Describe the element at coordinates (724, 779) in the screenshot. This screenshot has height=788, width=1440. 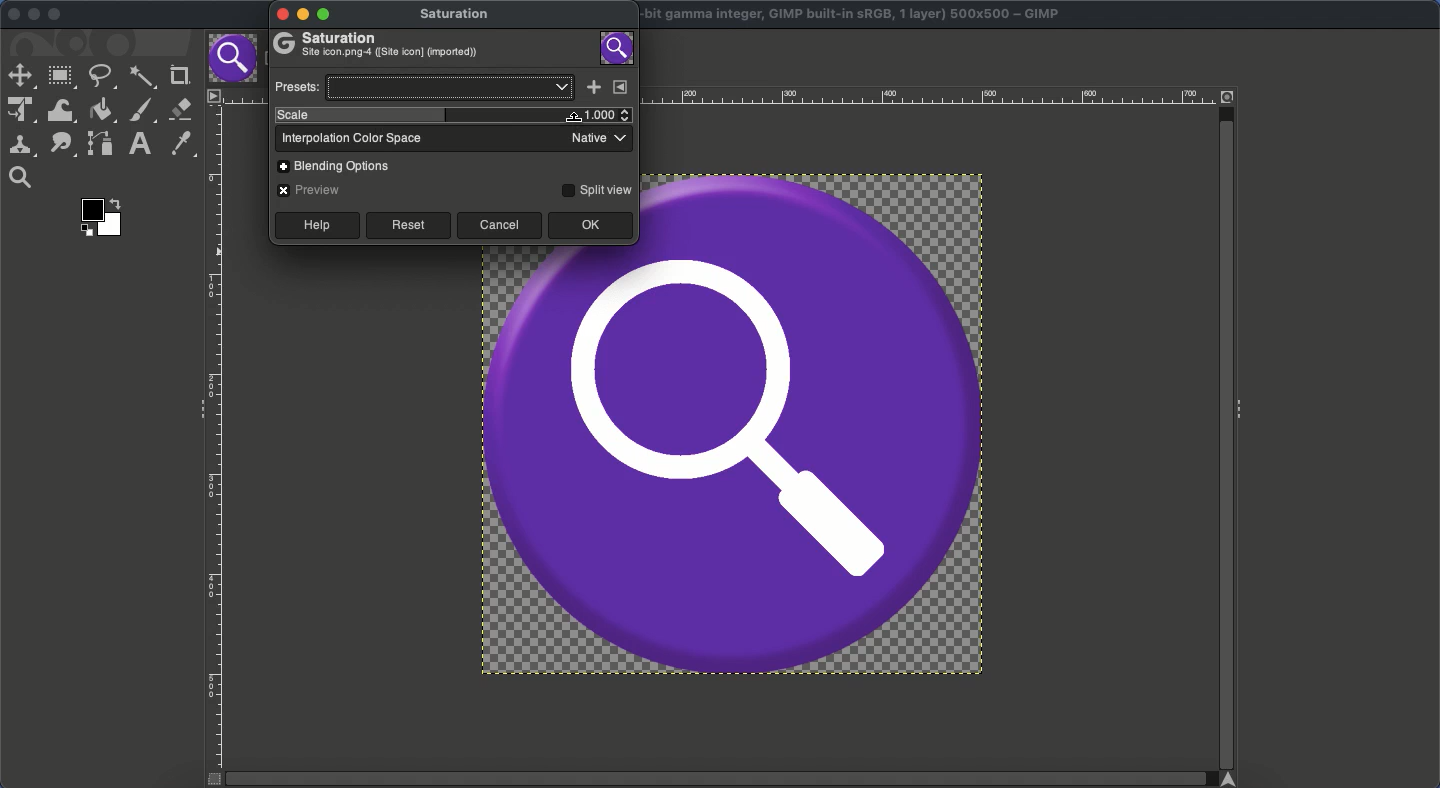
I see `Scroll` at that location.